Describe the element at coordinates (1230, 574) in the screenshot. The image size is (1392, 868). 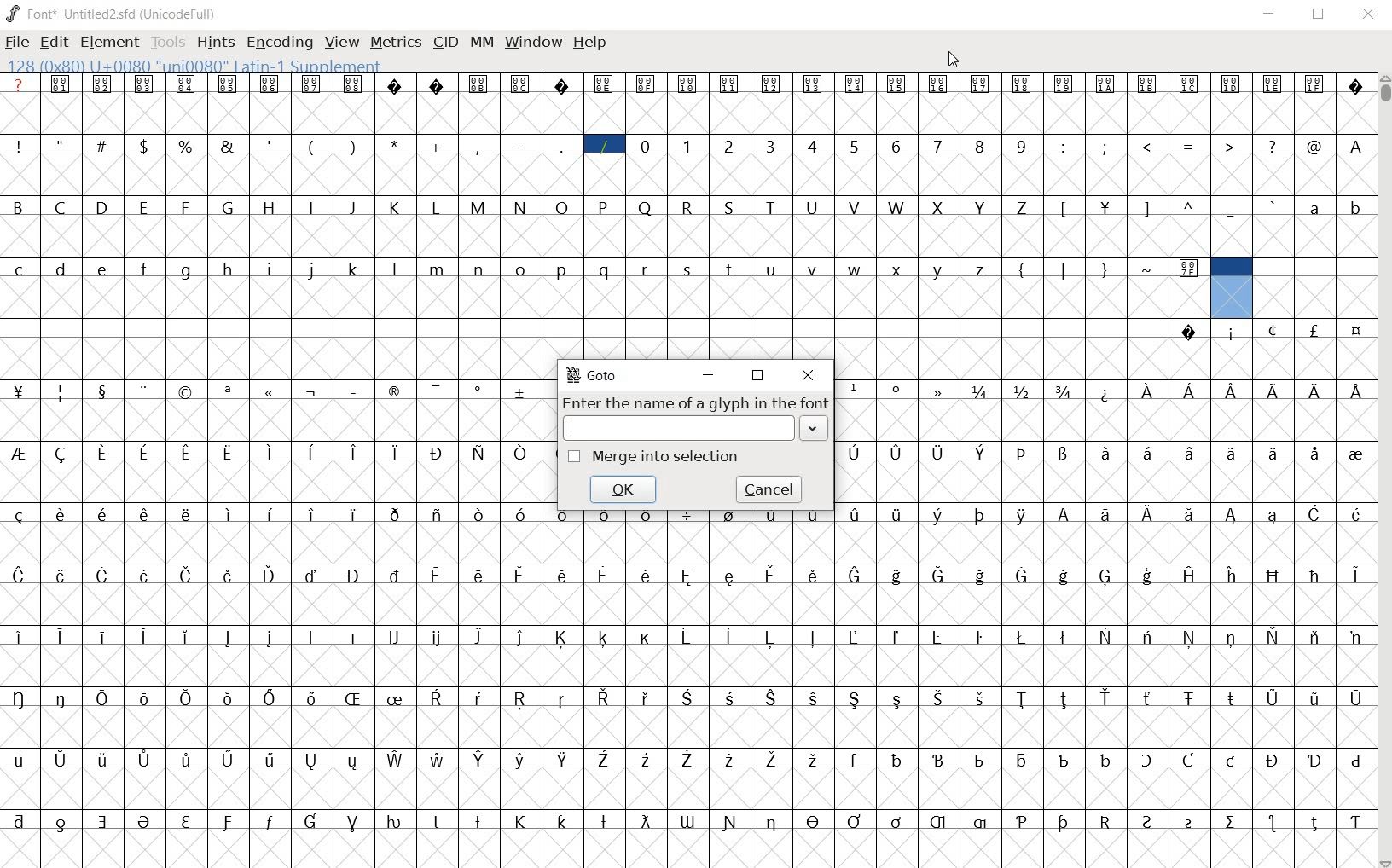
I see `Symbol` at that location.